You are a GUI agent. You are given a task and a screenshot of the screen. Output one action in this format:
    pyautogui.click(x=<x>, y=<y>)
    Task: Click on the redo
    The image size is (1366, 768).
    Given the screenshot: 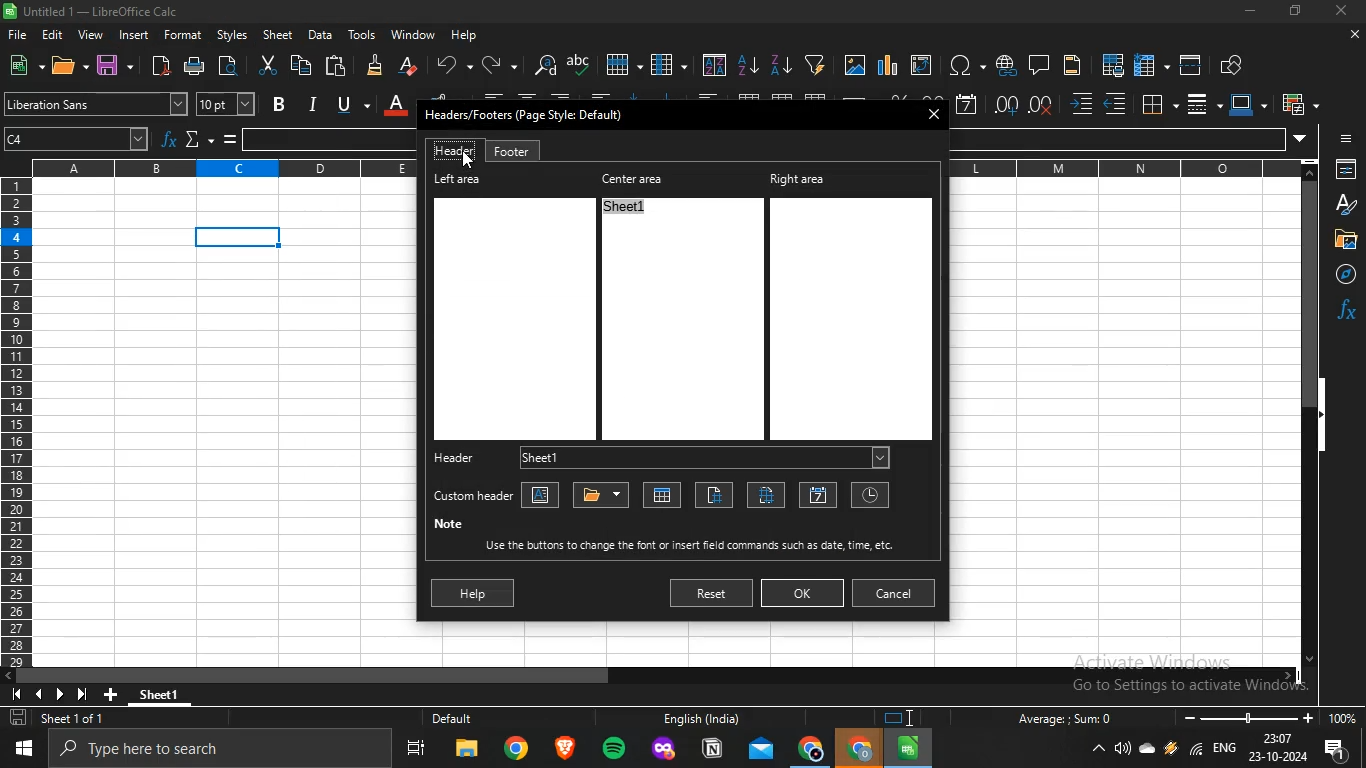 What is the action you would take?
    pyautogui.click(x=492, y=64)
    